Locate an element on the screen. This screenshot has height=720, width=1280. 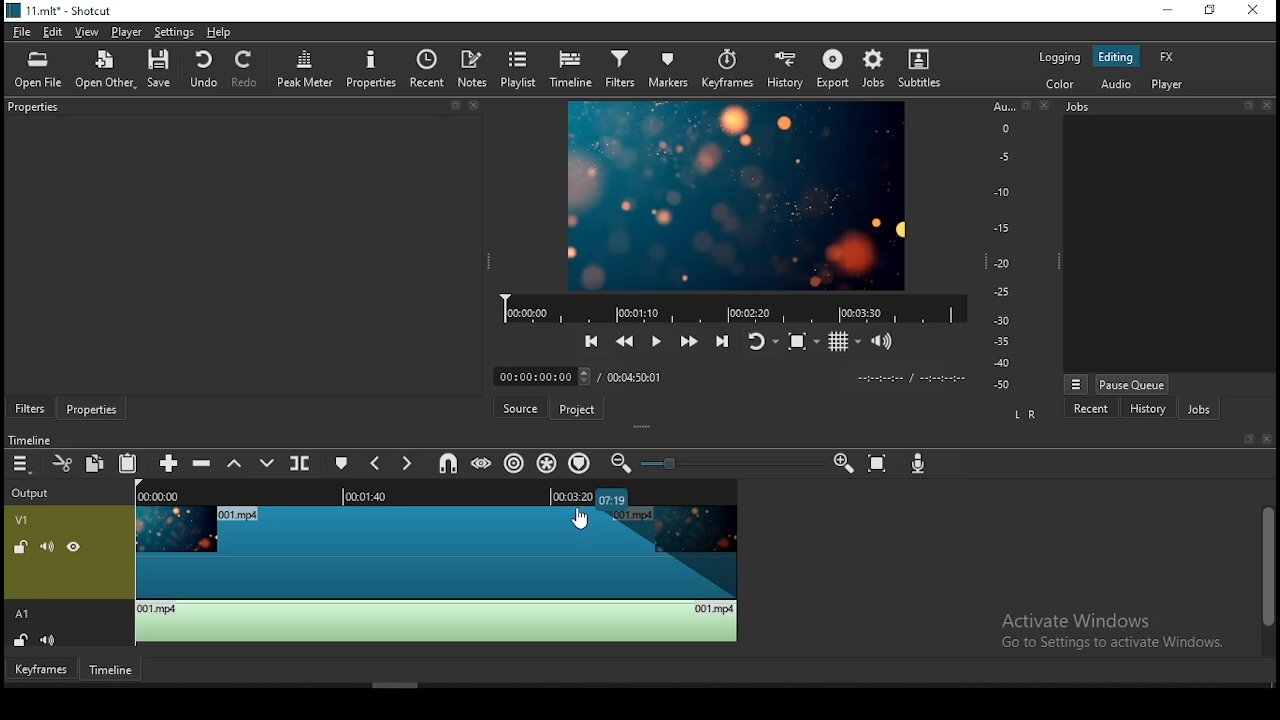
append is located at coordinates (169, 462).